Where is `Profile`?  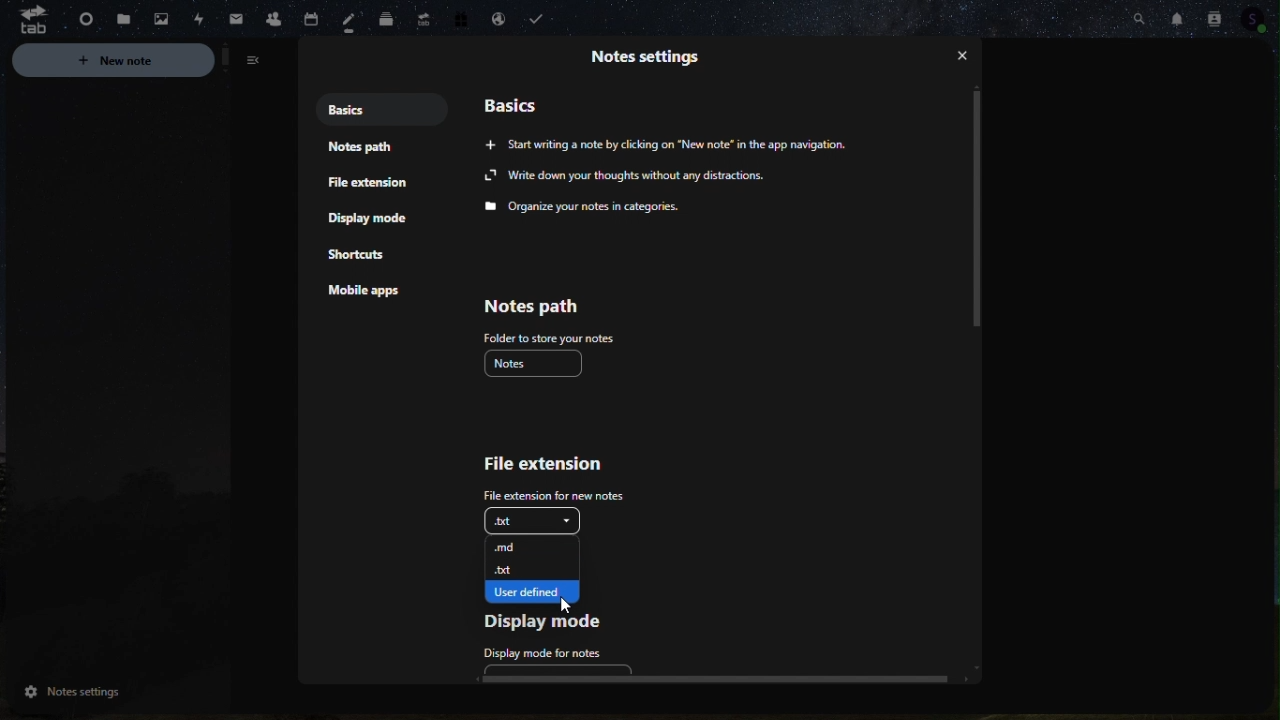 Profile is located at coordinates (1259, 17).